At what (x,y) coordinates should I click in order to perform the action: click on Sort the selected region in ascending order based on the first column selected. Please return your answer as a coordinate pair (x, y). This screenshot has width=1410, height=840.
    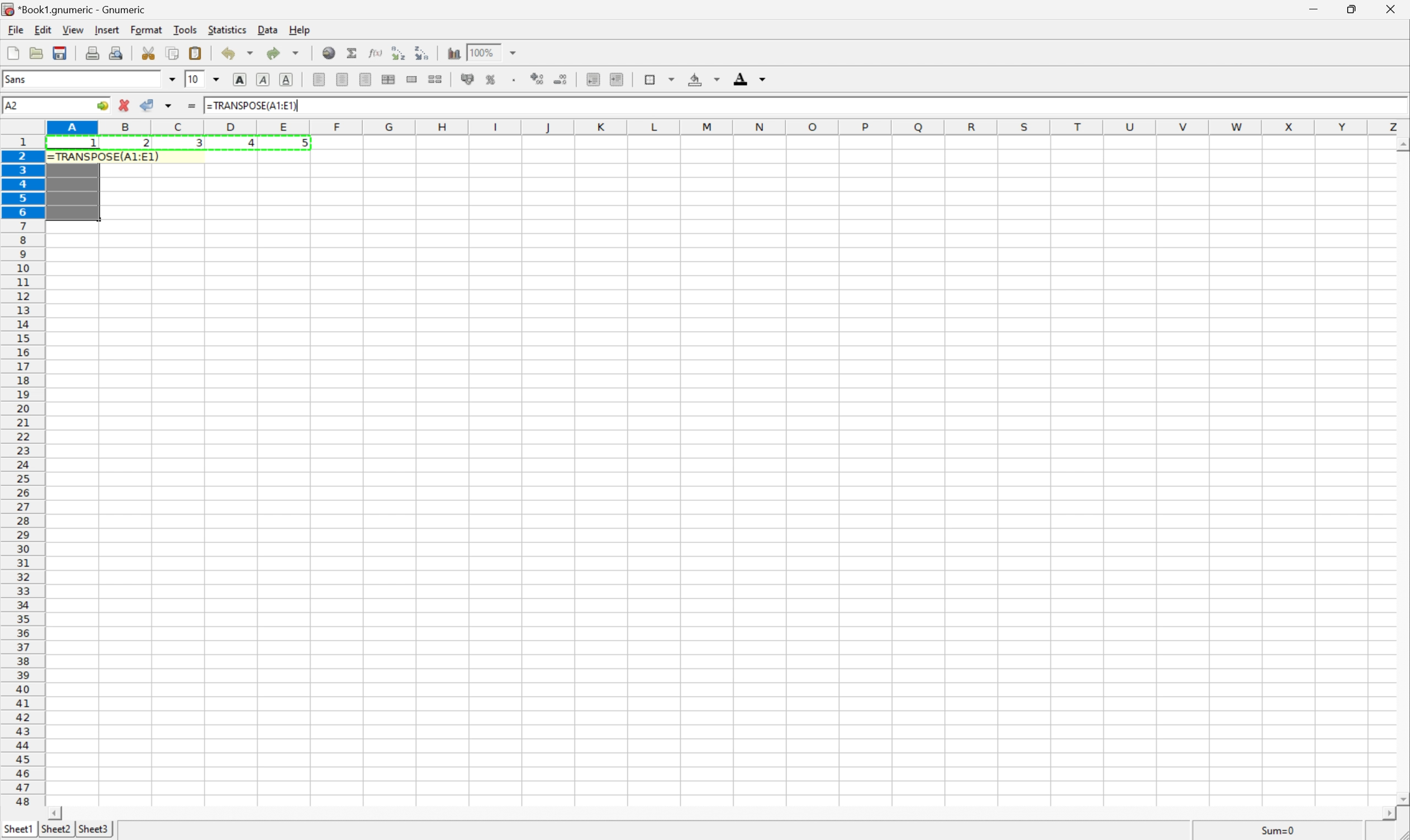
    Looking at the image, I should click on (399, 51).